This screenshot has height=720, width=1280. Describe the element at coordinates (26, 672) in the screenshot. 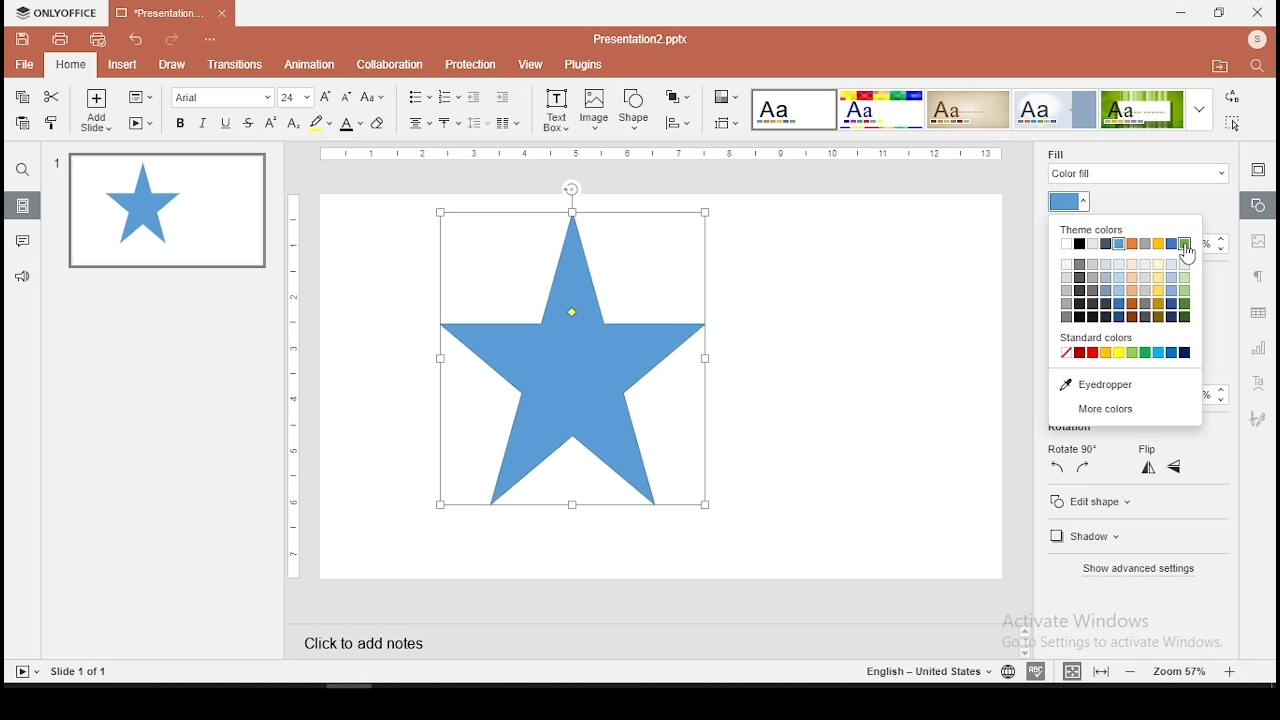

I see `start slideshow` at that location.